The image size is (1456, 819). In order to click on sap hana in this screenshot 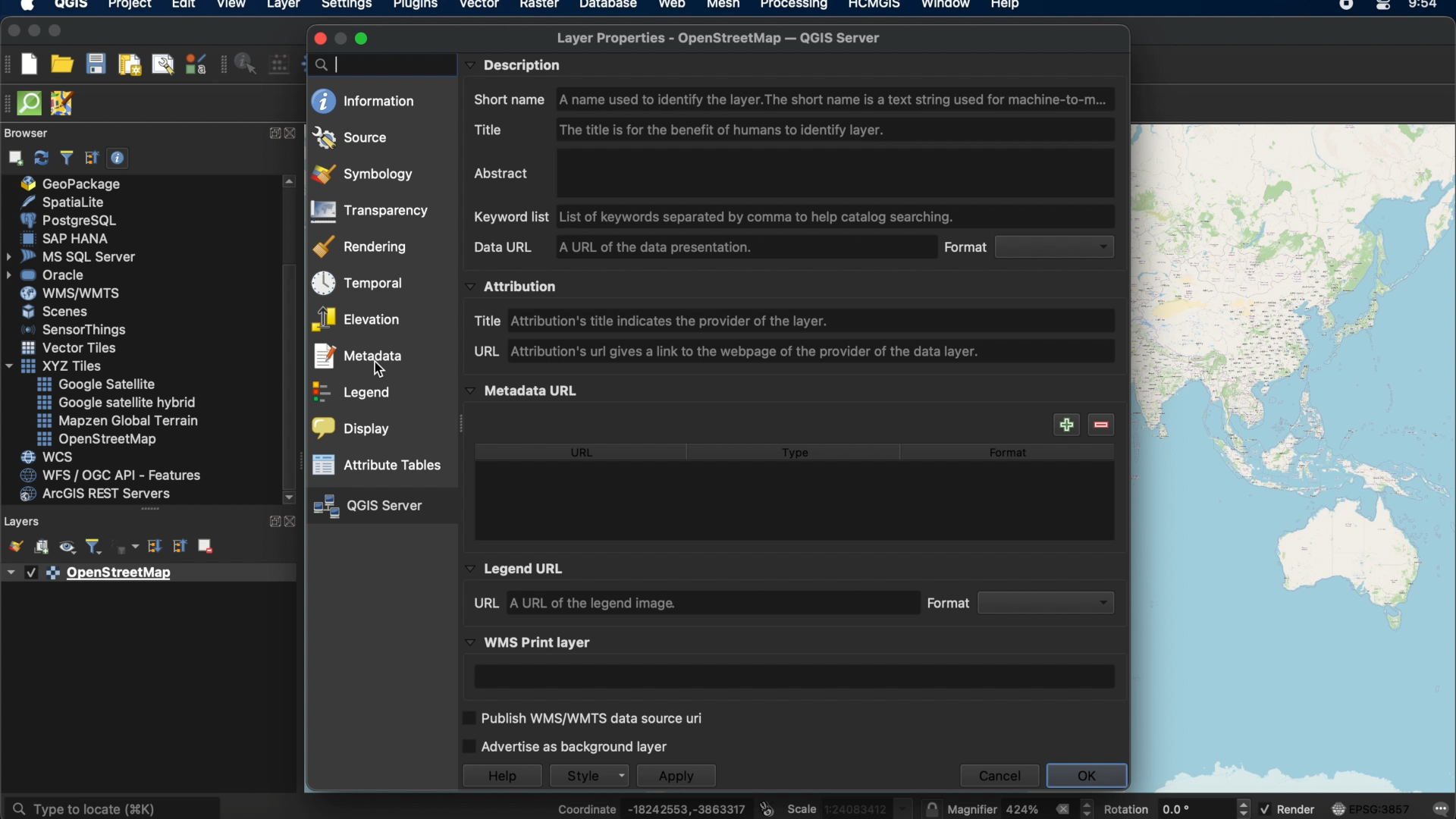, I will do `click(69, 239)`.